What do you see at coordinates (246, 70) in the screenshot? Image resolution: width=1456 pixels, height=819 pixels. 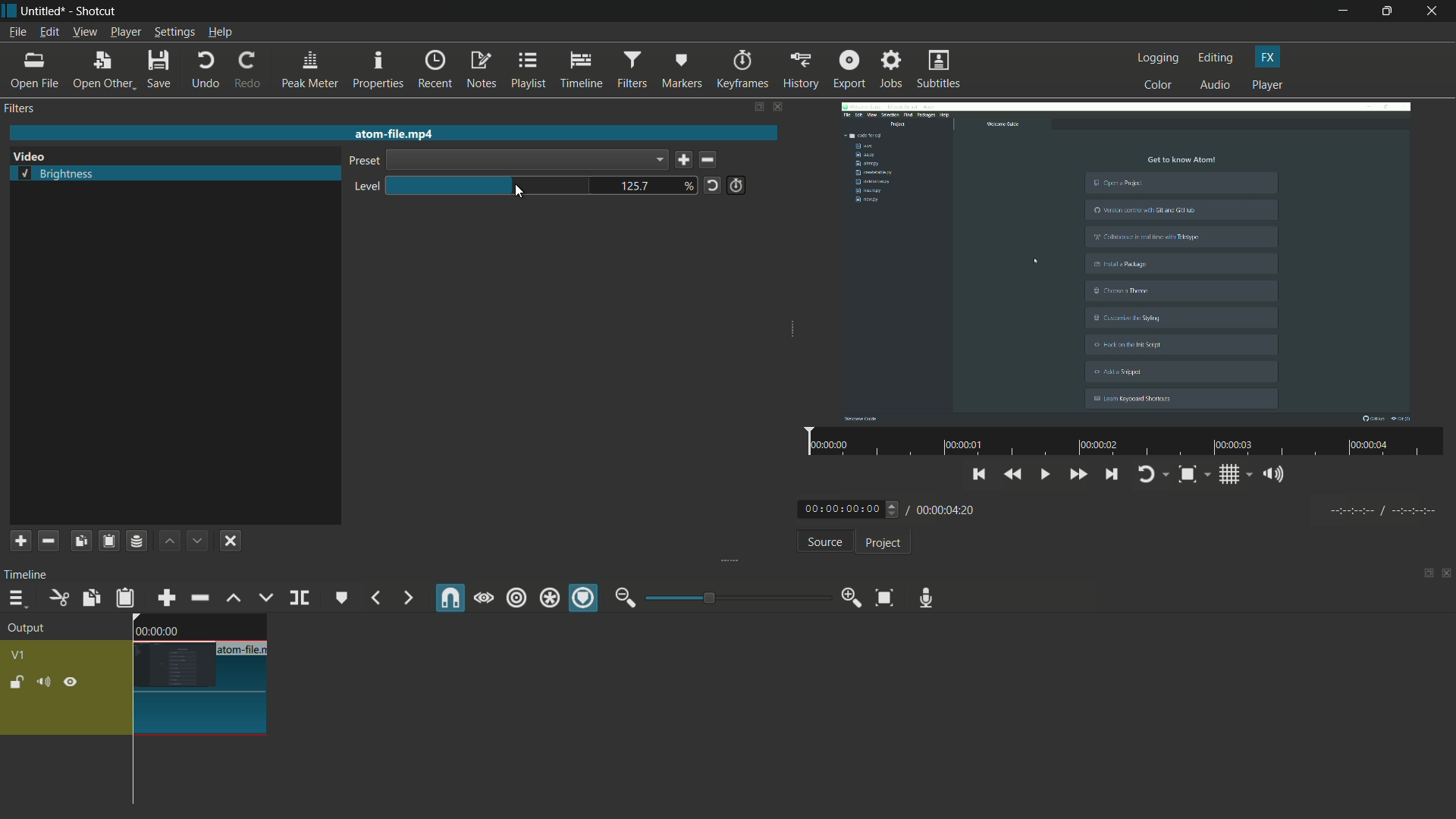 I see `redo` at bounding box center [246, 70].